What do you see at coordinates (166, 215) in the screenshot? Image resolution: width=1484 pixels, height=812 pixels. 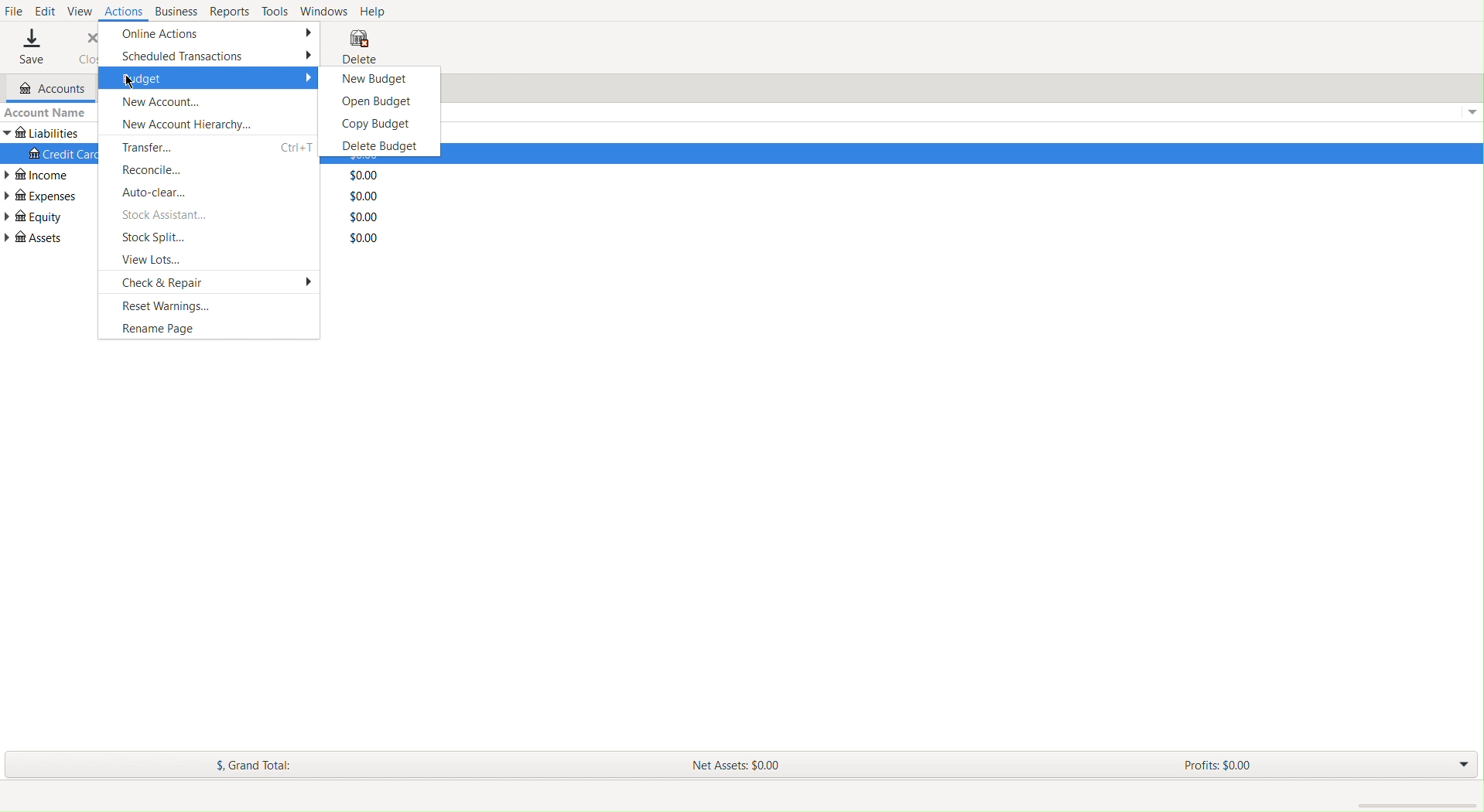 I see `Stock Assistant` at bounding box center [166, 215].